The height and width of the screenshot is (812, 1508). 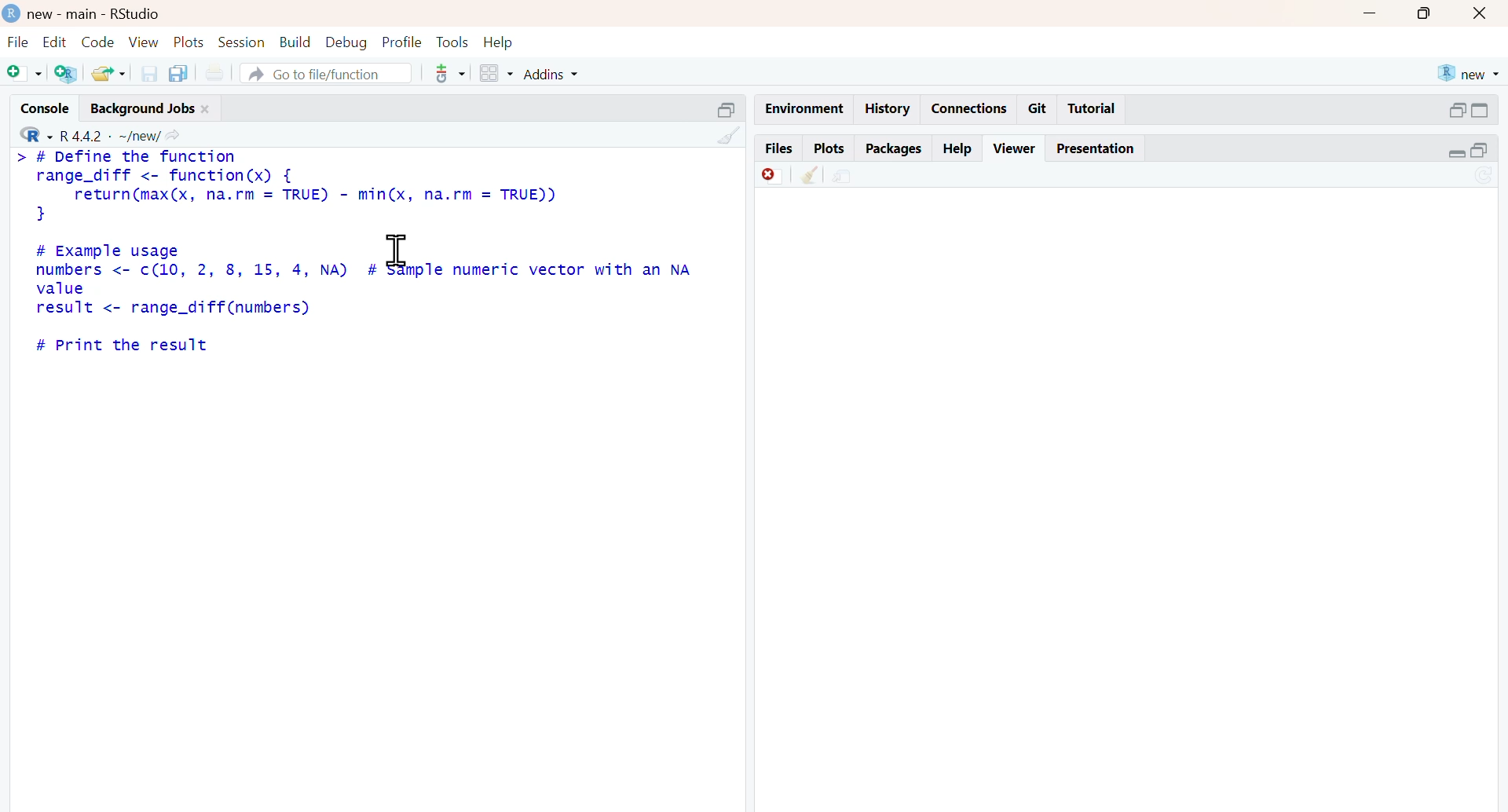 What do you see at coordinates (110, 73) in the screenshot?
I see `share folder as` at bounding box center [110, 73].